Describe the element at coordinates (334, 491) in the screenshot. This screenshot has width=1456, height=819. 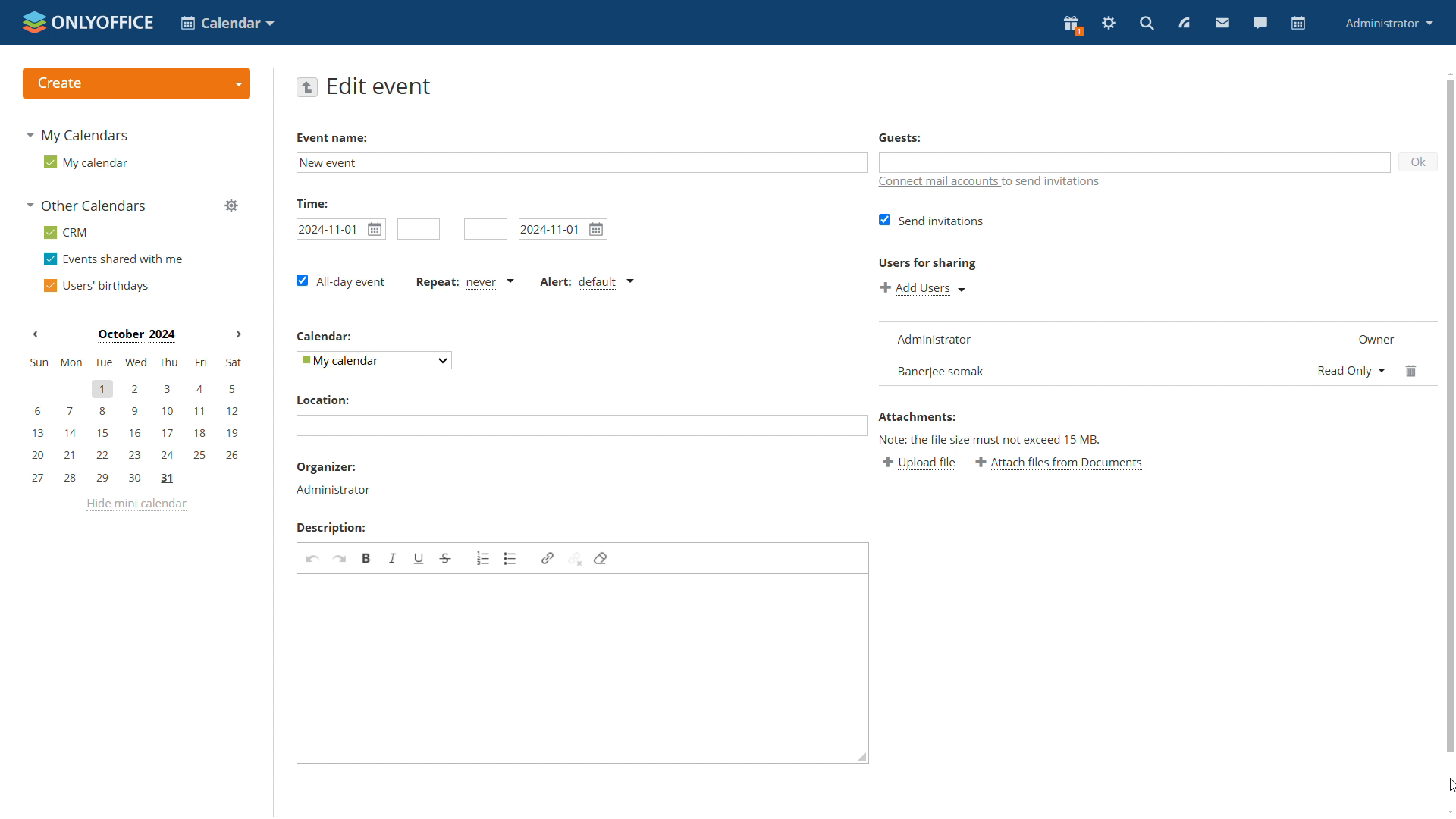
I see `organizer` at that location.